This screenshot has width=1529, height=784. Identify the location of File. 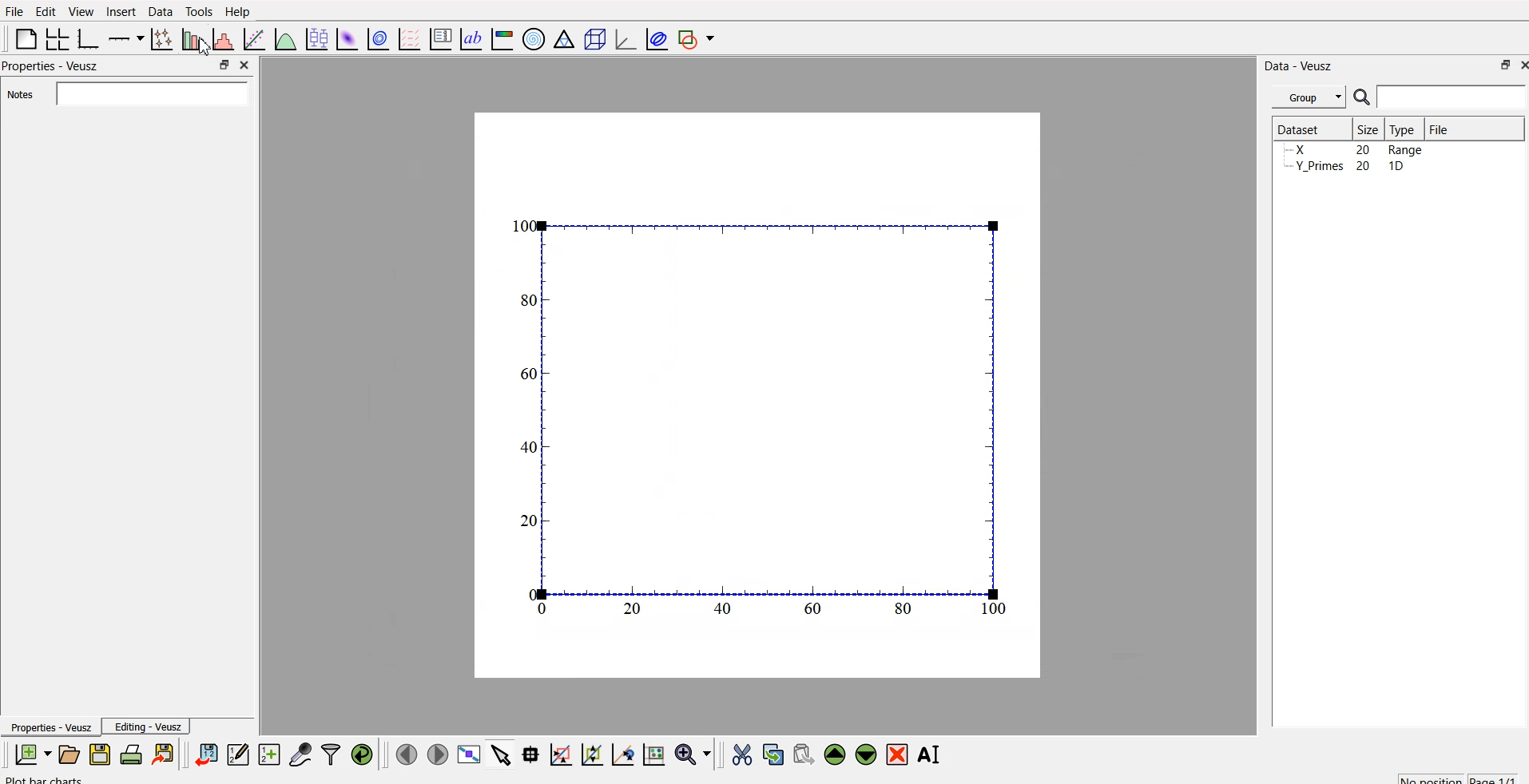
(1438, 127).